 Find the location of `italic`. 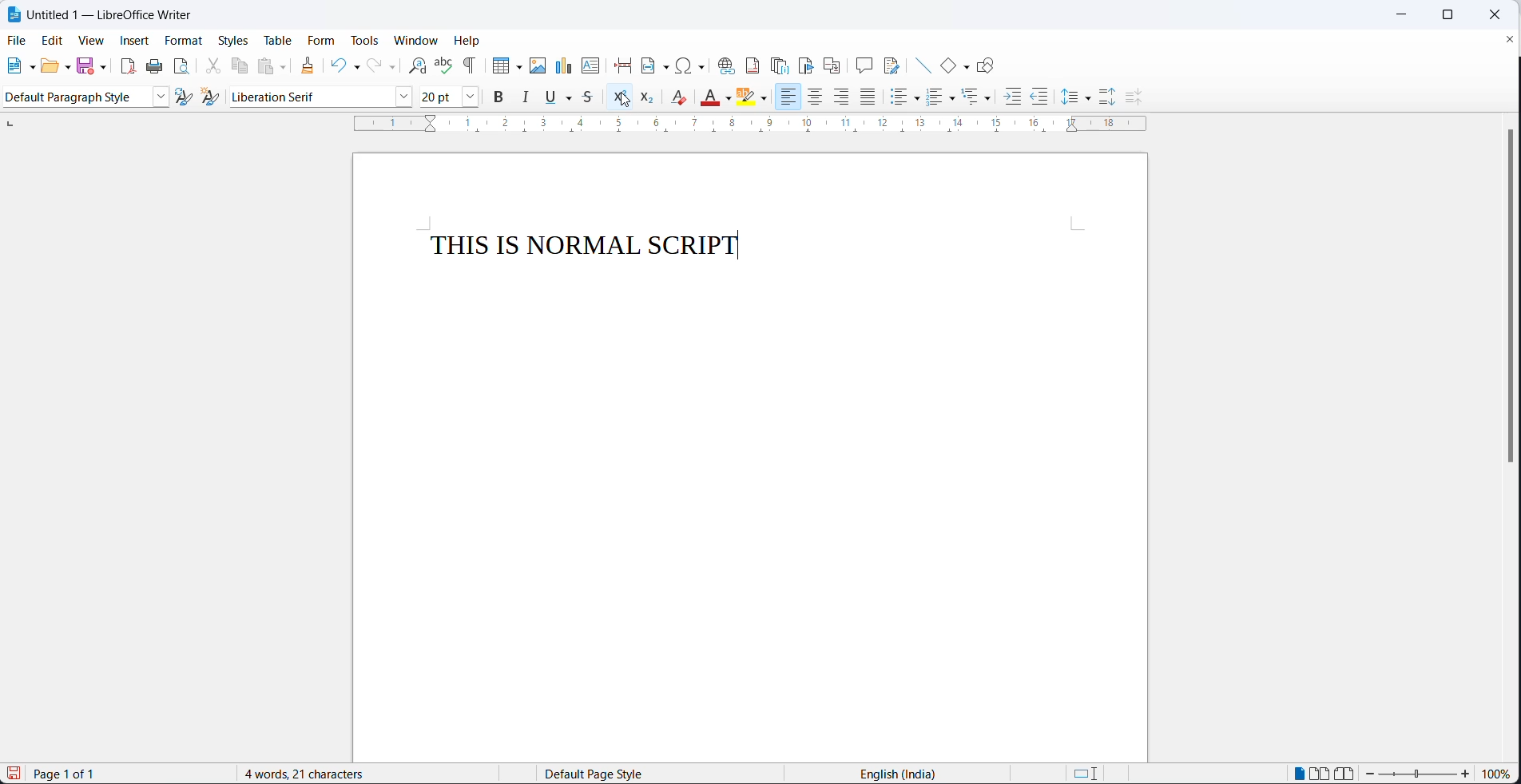

italic is located at coordinates (524, 97).